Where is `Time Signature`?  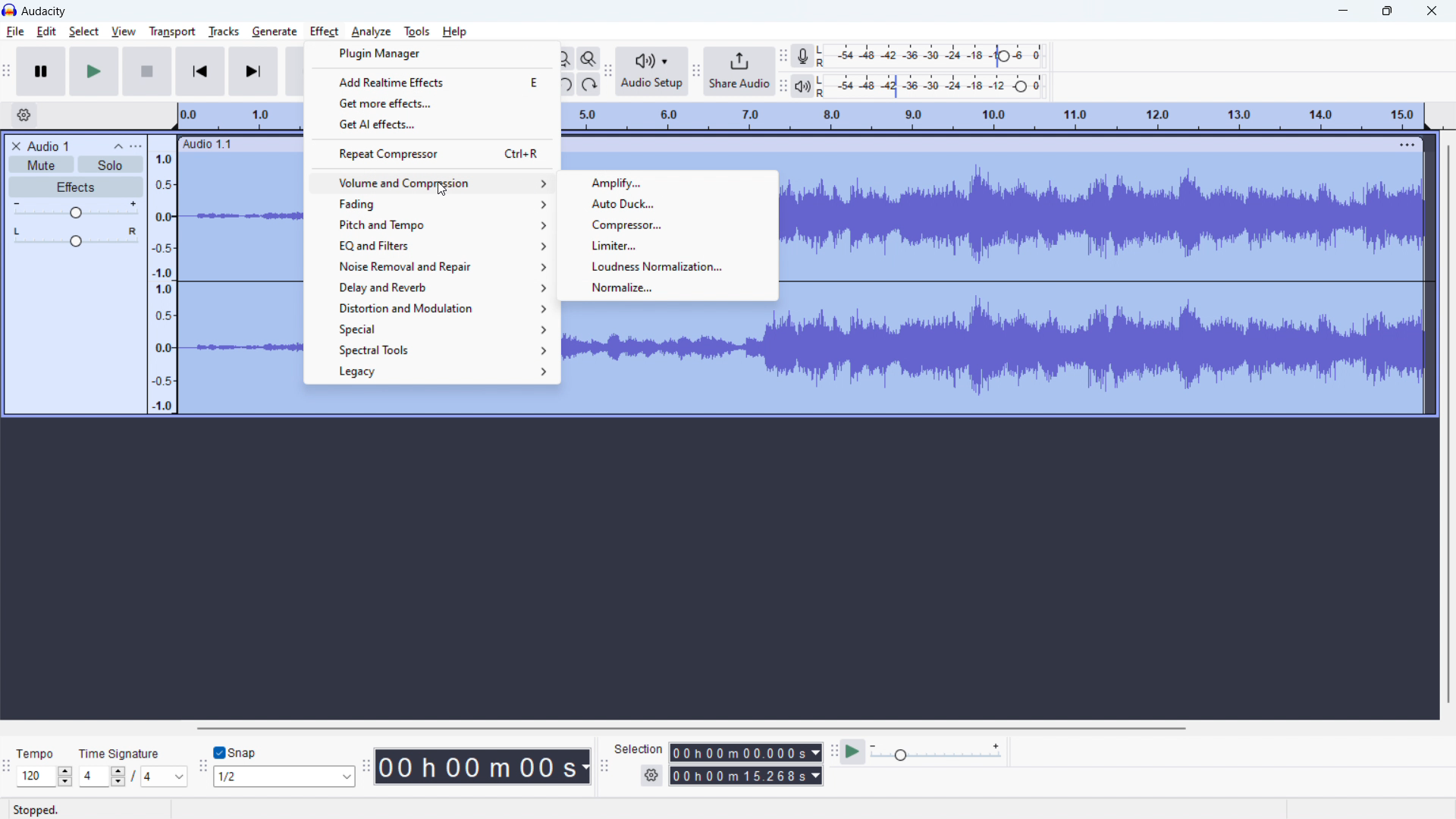 Time Signature is located at coordinates (121, 750).